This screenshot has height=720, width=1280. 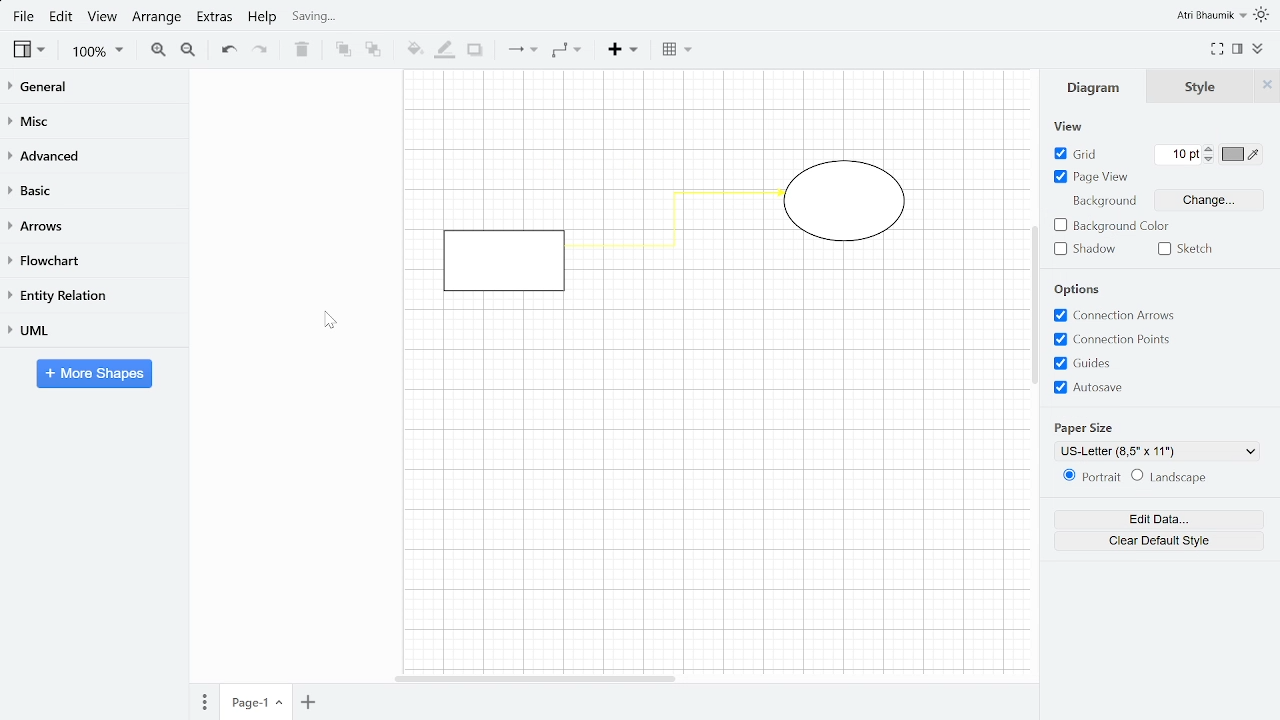 I want to click on Clear default style, so click(x=1156, y=541).